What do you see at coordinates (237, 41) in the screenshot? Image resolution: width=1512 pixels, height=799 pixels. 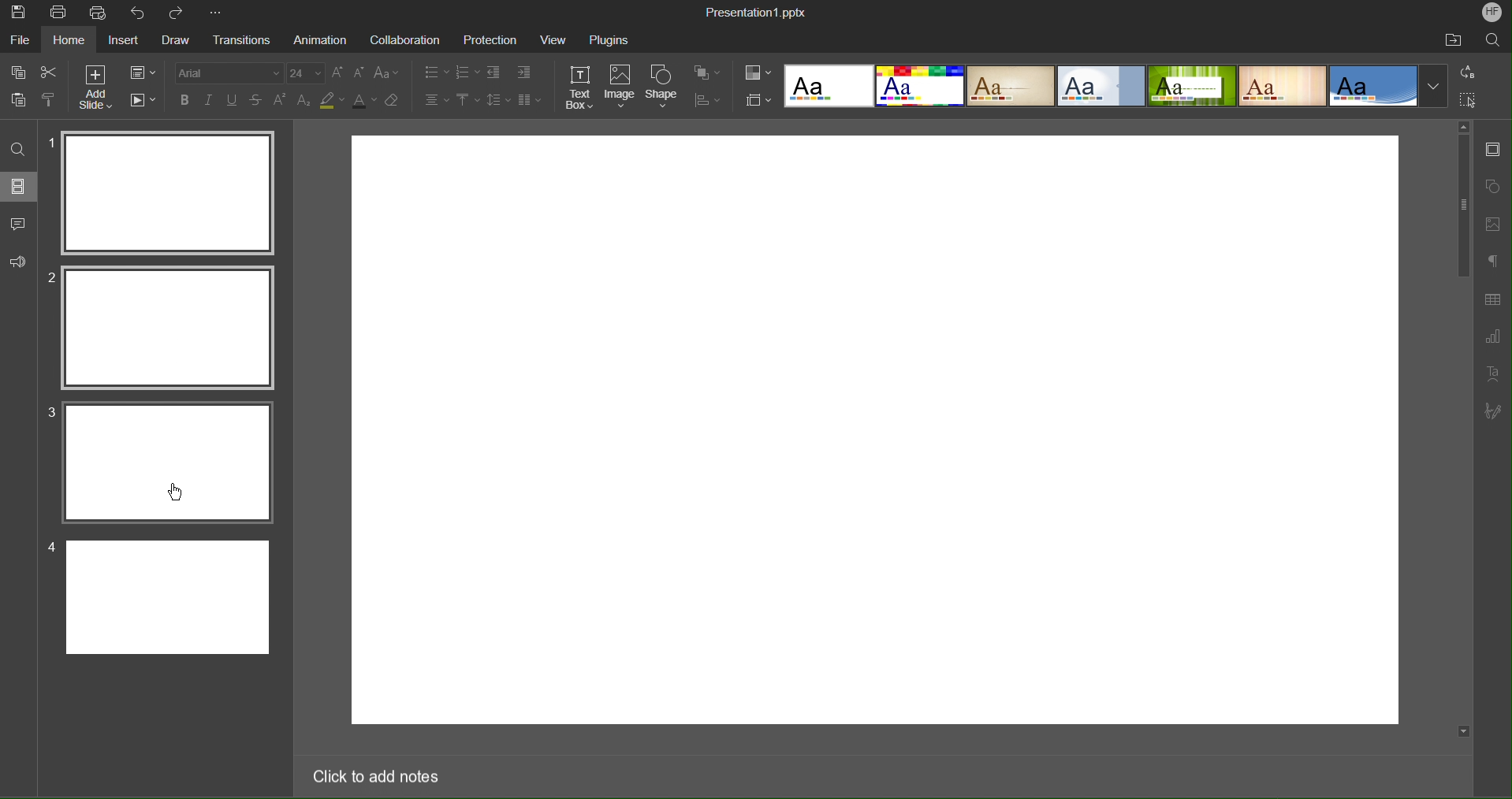 I see `Transition` at bounding box center [237, 41].